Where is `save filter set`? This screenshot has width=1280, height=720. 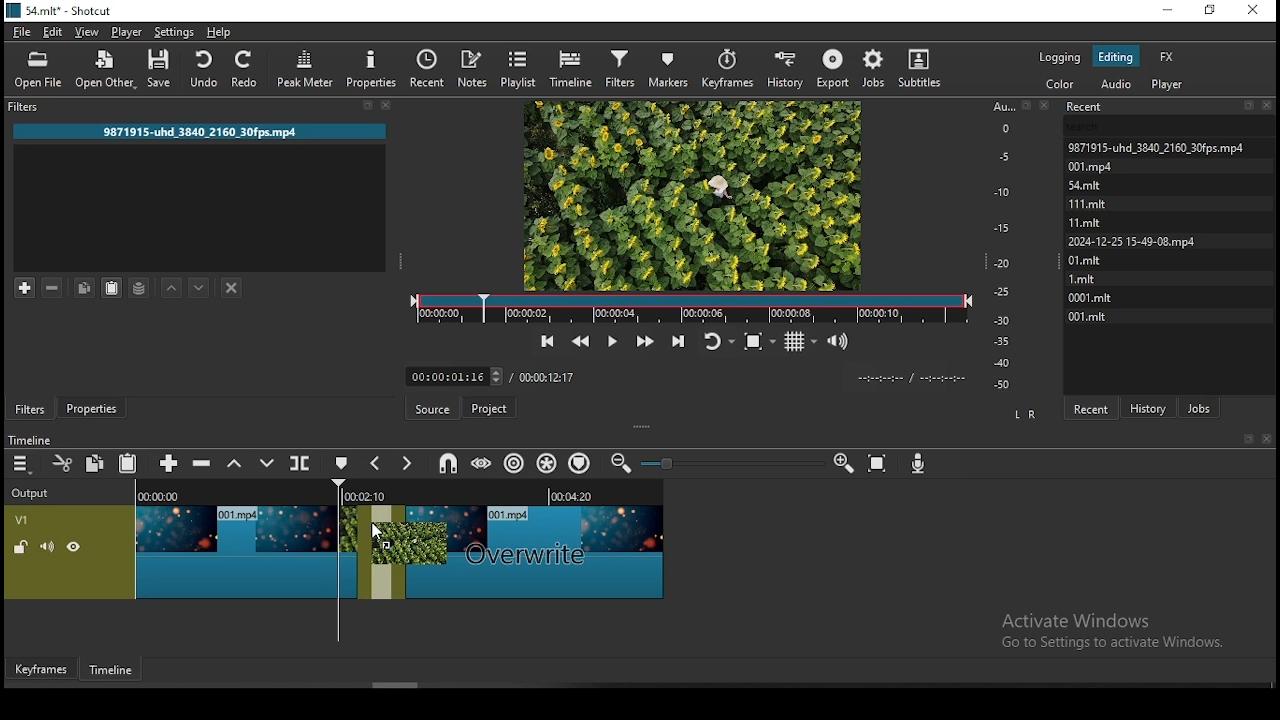 save filter set is located at coordinates (140, 286).